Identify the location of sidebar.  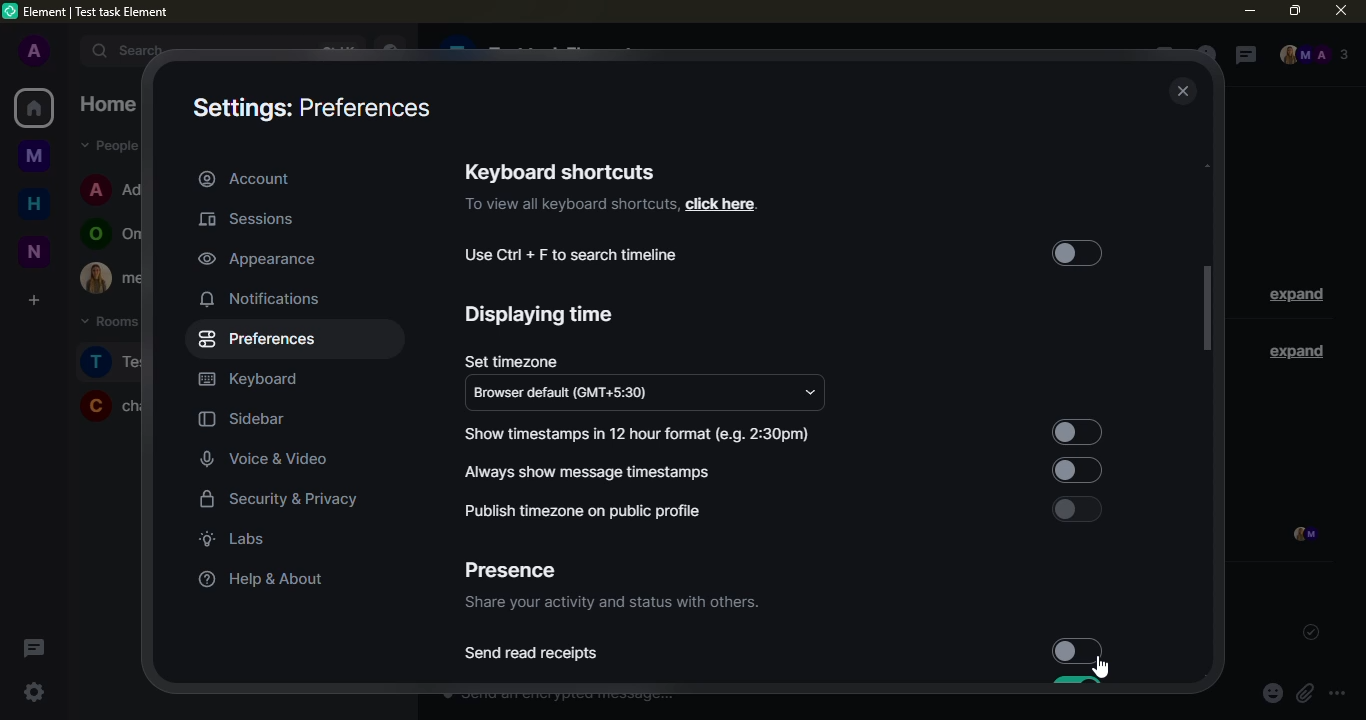
(242, 420).